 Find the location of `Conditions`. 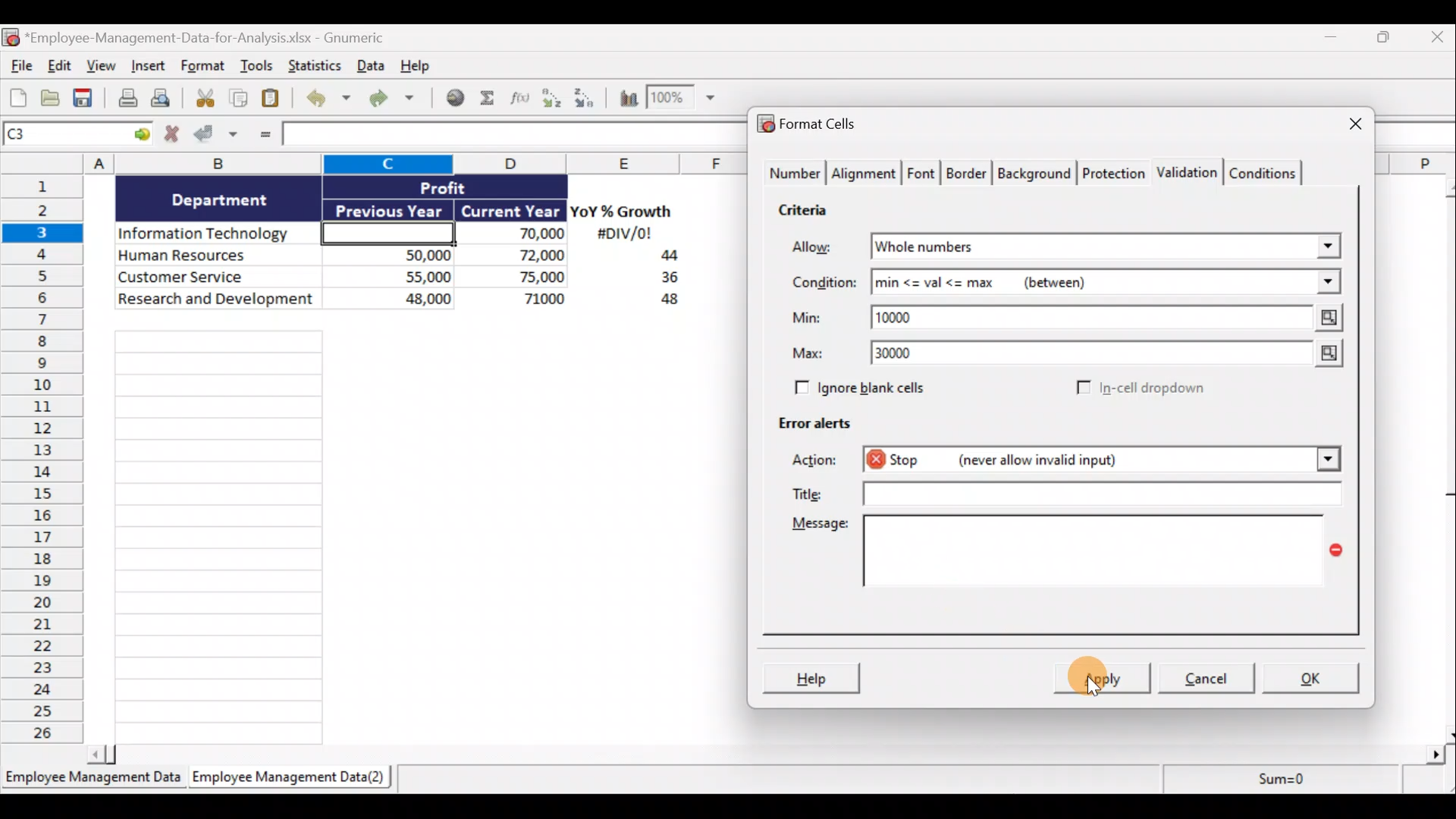

Conditions is located at coordinates (1268, 172).